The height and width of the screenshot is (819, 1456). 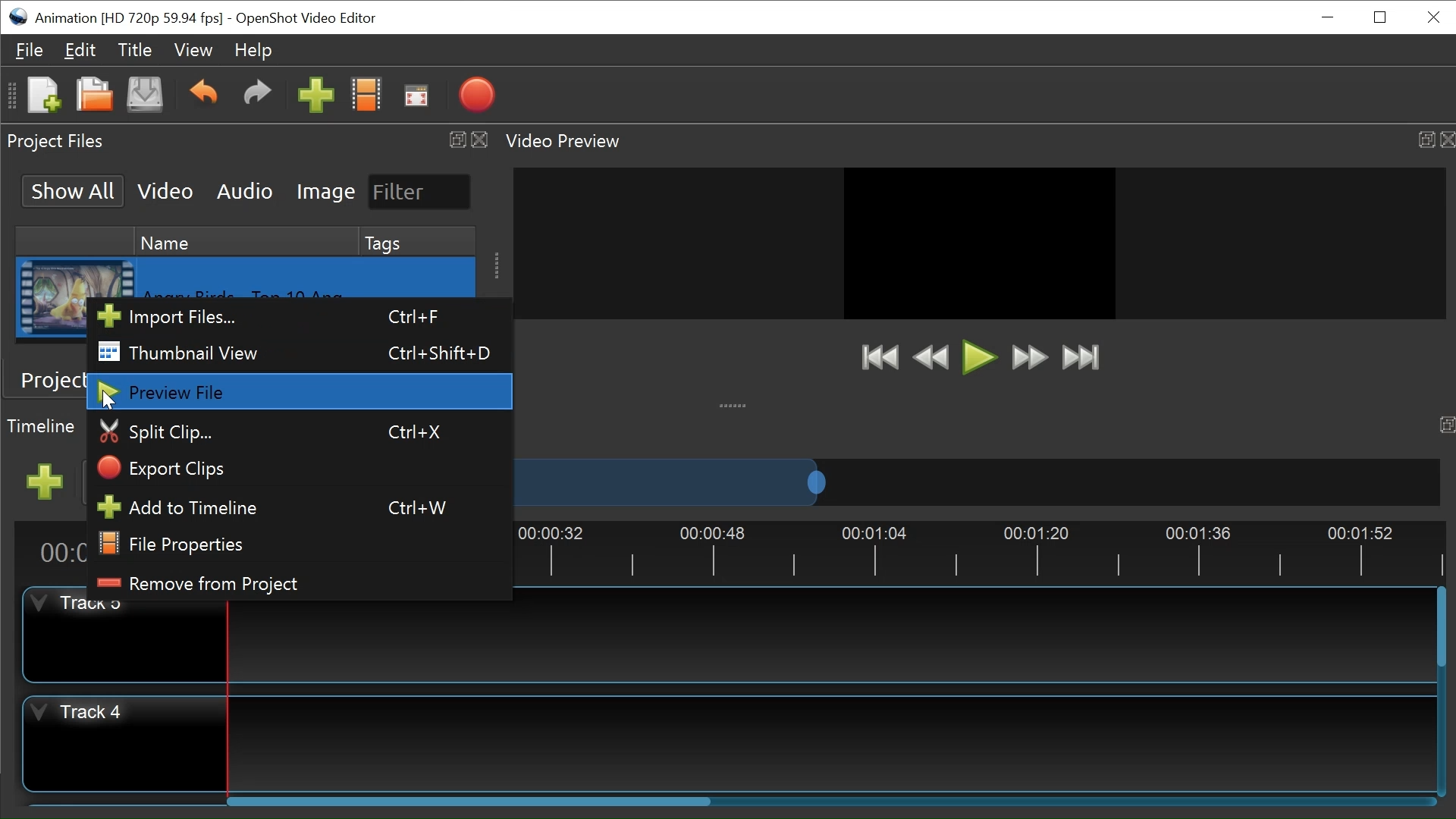 I want to click on Drag handle, so click(x=736, y=403).